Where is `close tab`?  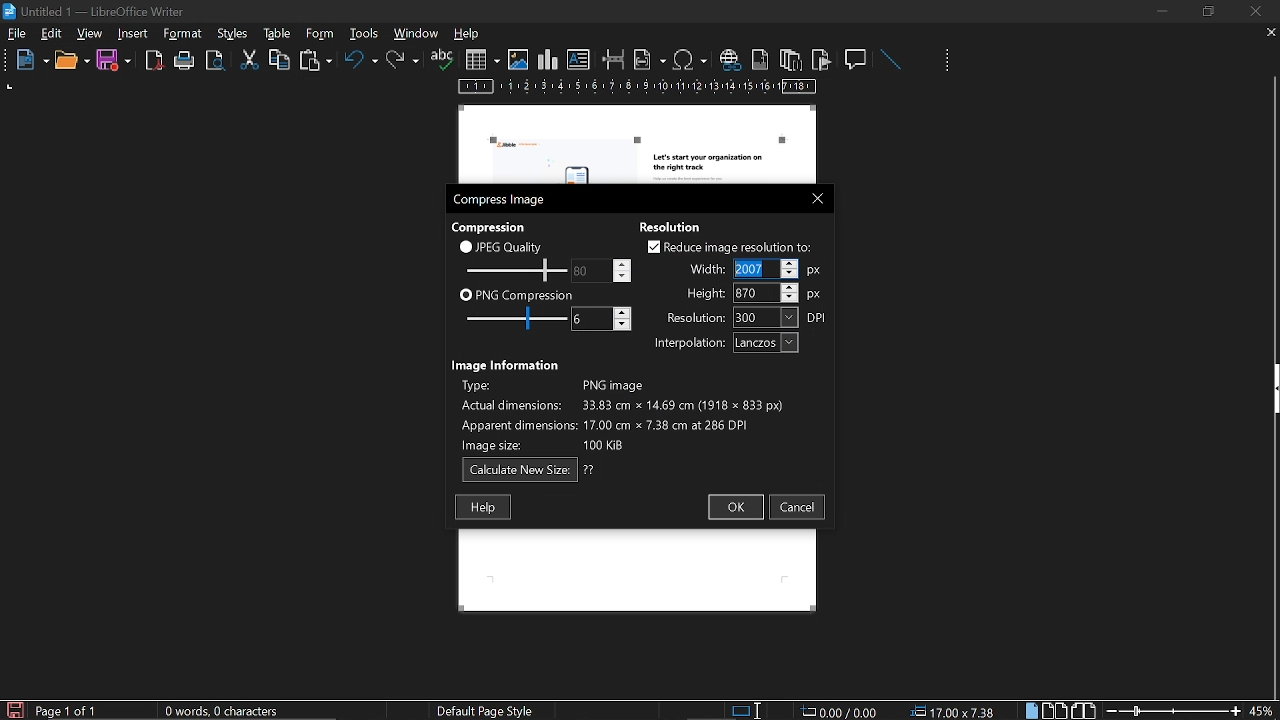 close tab is located at coordinates (1271, 34).